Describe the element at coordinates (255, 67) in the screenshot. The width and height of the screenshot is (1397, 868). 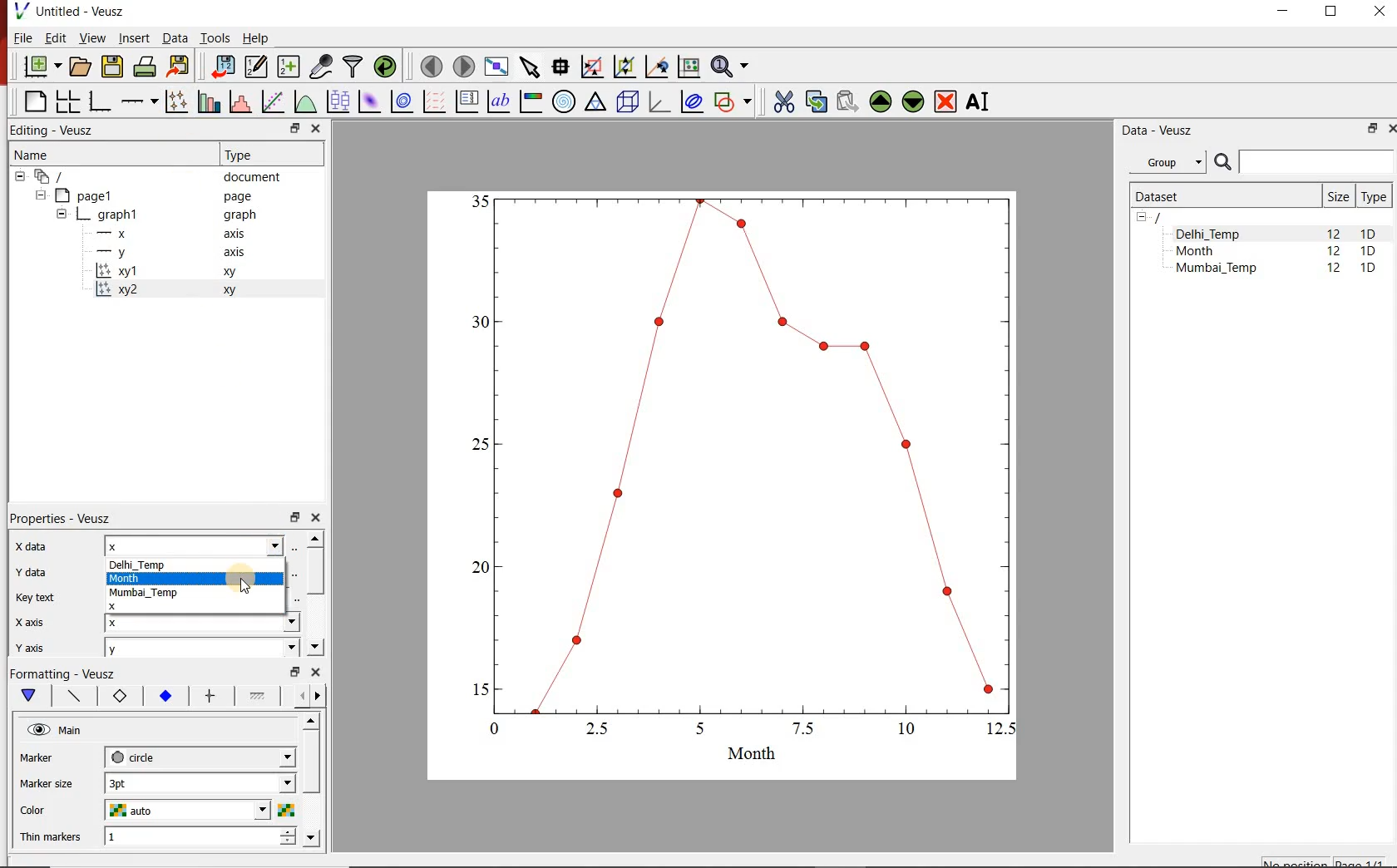
I see `edit and enter new datasets` at that location.